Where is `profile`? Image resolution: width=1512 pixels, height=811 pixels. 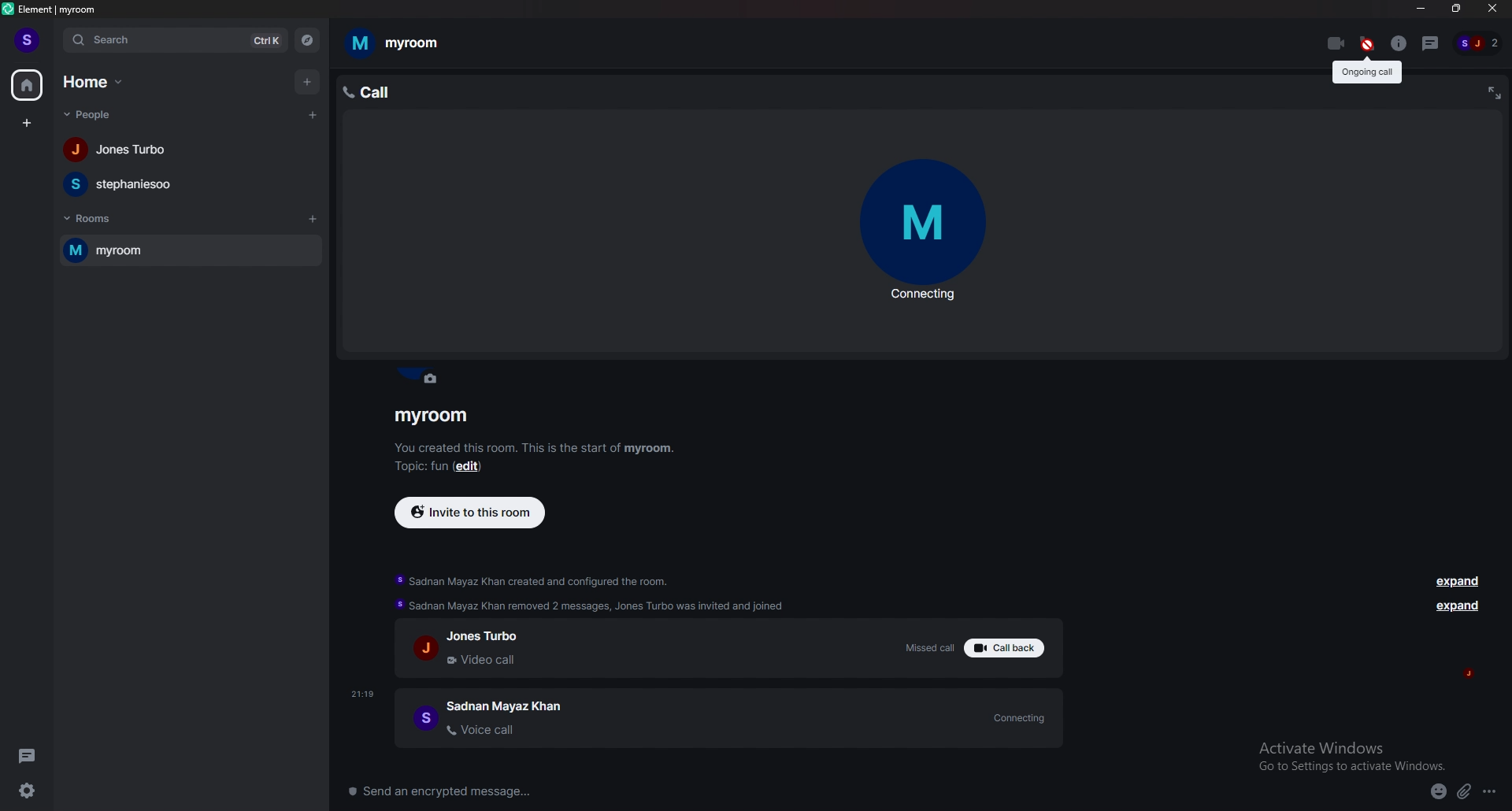
profile is located at coordinates (30, 40).